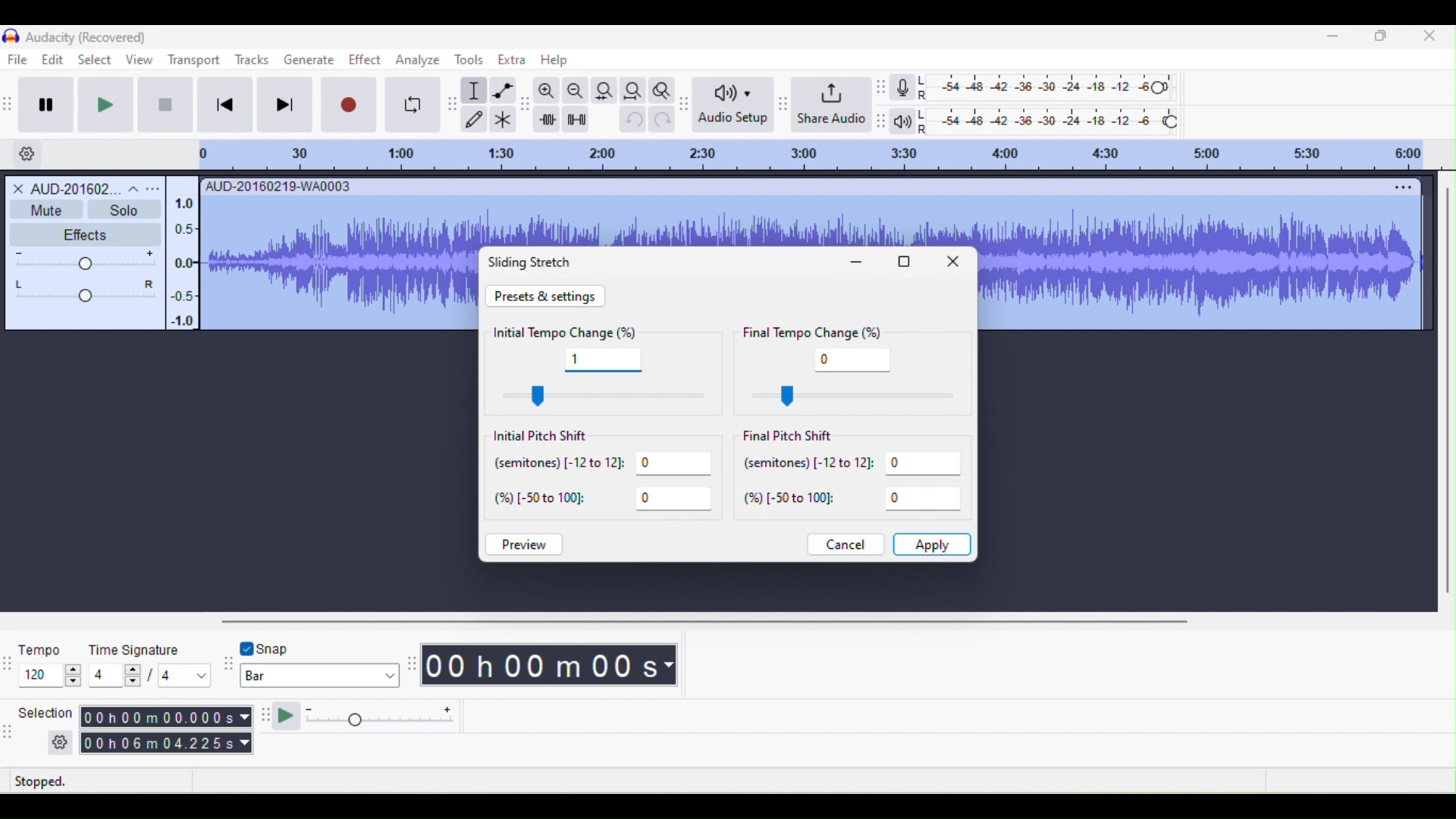 Image resolution: width=1456 pixels, height=819 pixels. Describe the element at coordinates (86, 277) in the screenshot. I see `Level` at that location.